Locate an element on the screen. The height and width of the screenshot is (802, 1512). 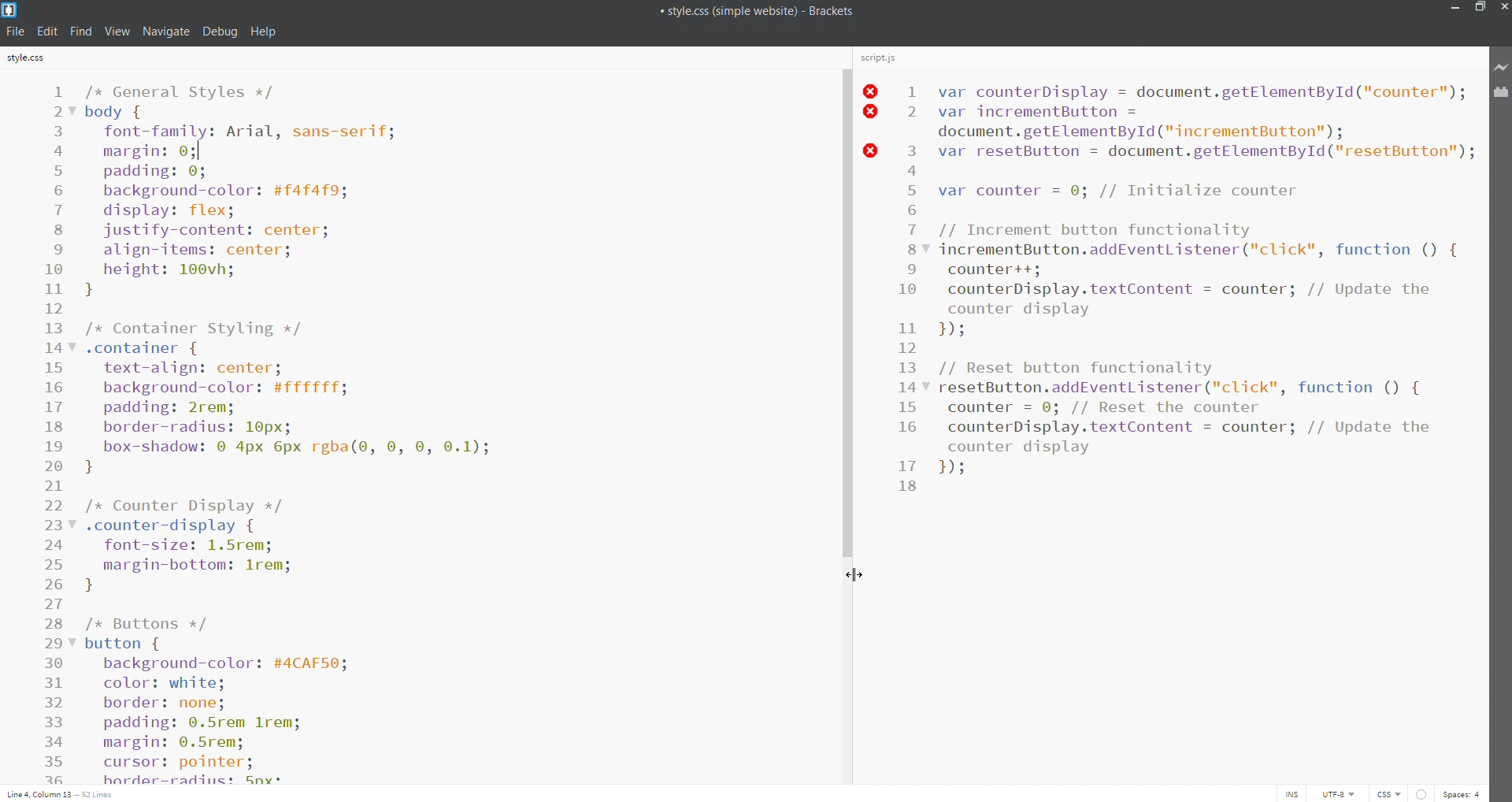
view is located at coordinates (117, 32).